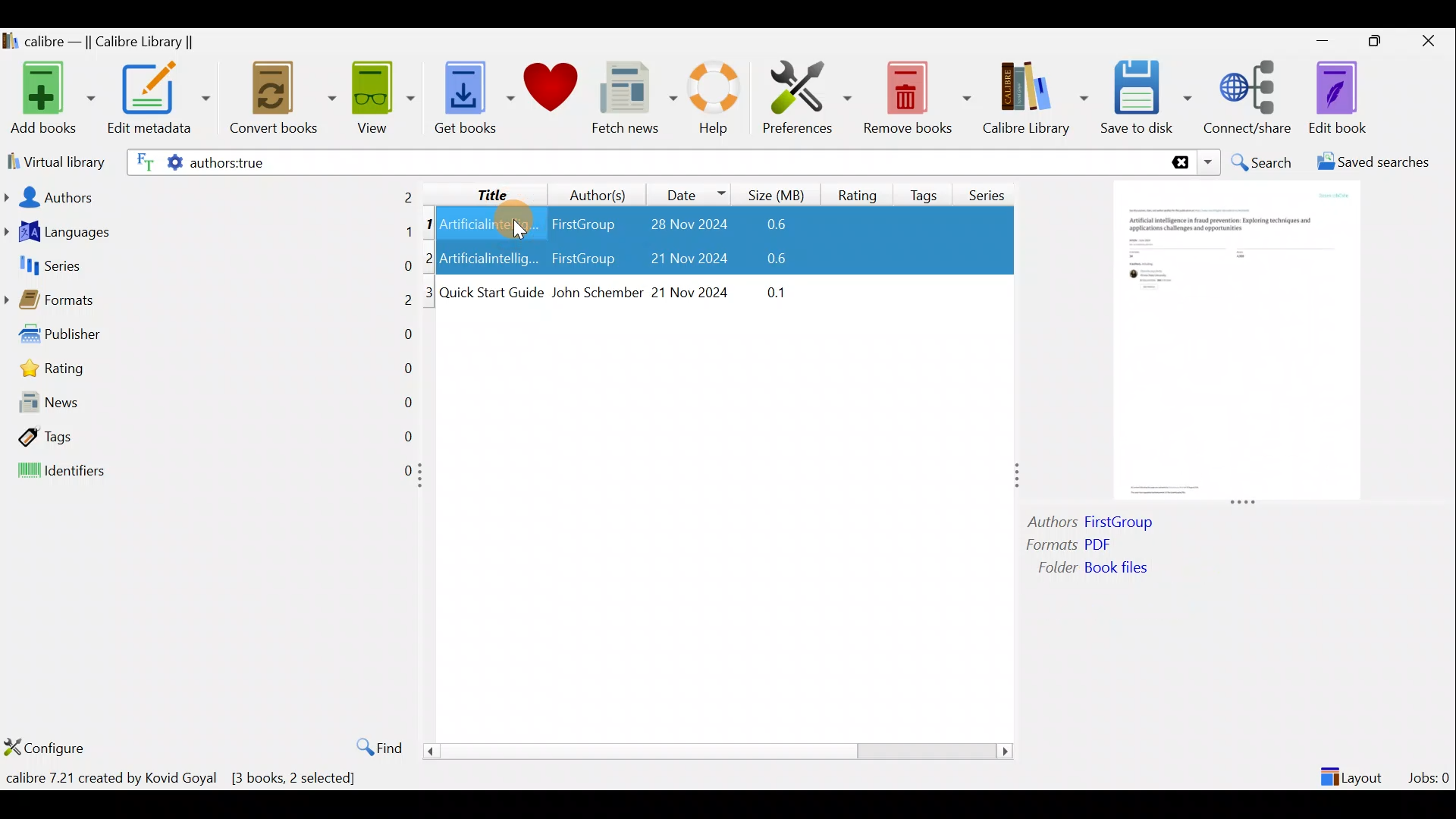 The image size is (1456, 819). What do you see at coordinates (1382, 42) in the screenshot?
I see `Maximize` at bounding box center [1382, 42].